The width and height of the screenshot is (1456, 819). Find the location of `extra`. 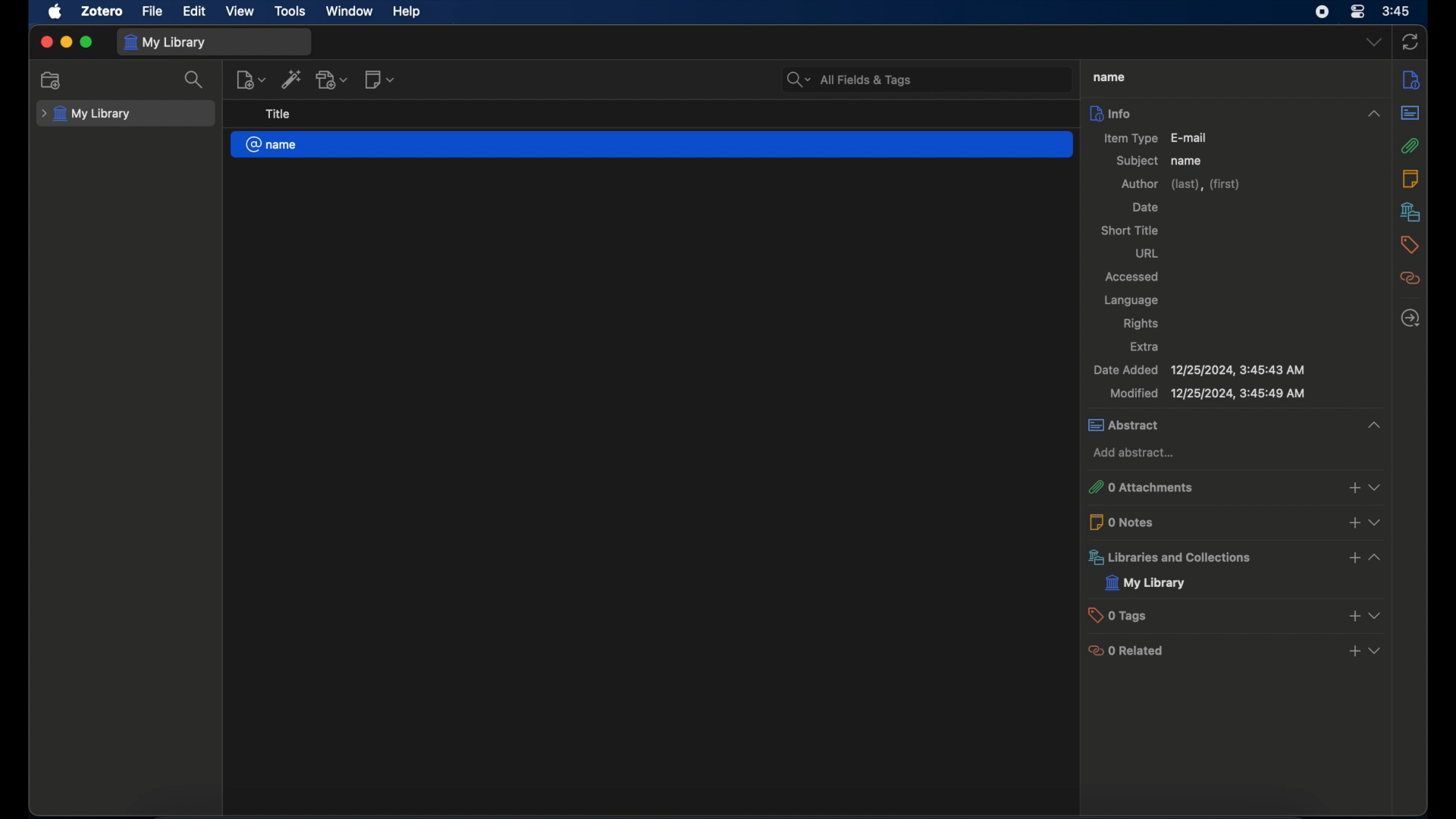

extra is located at coordinates (1146, 347).